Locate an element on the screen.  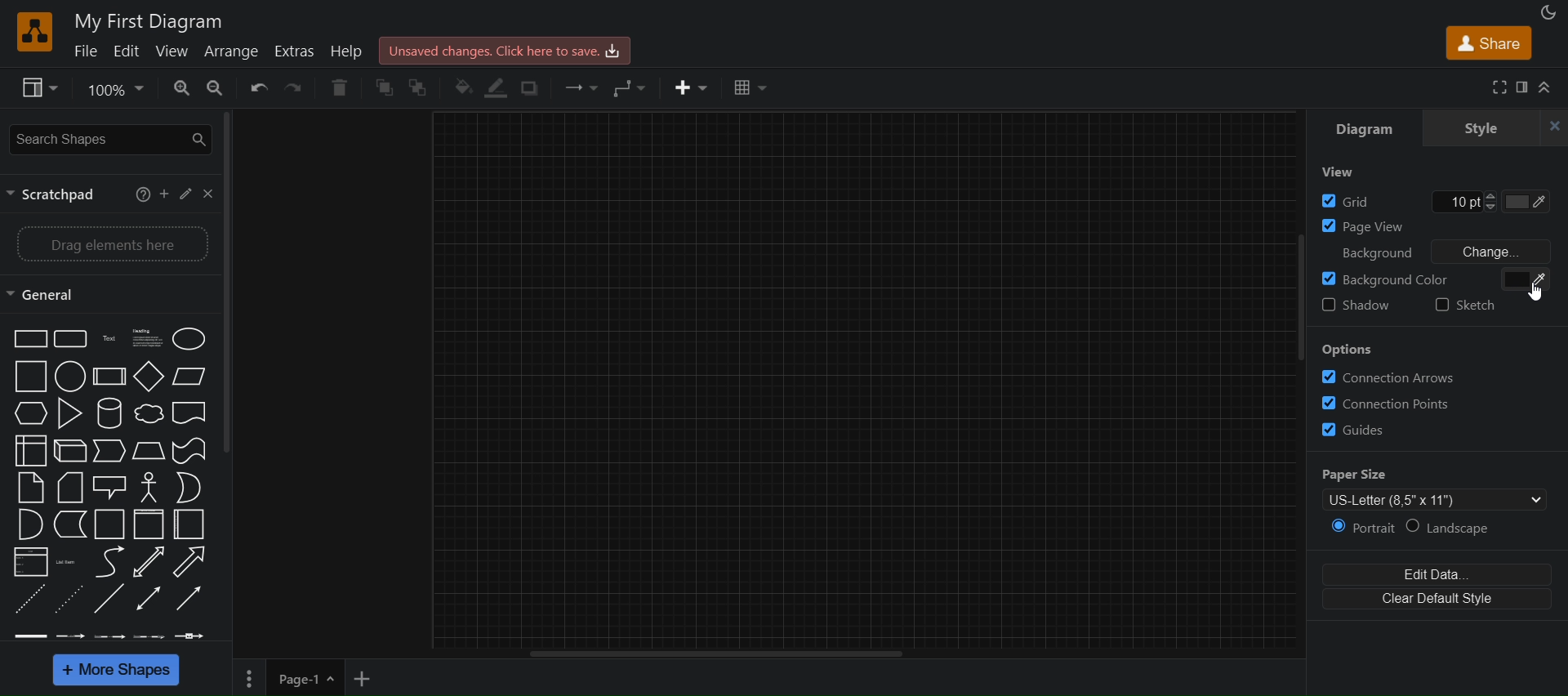
canvas is located at coordinates (862, 386).